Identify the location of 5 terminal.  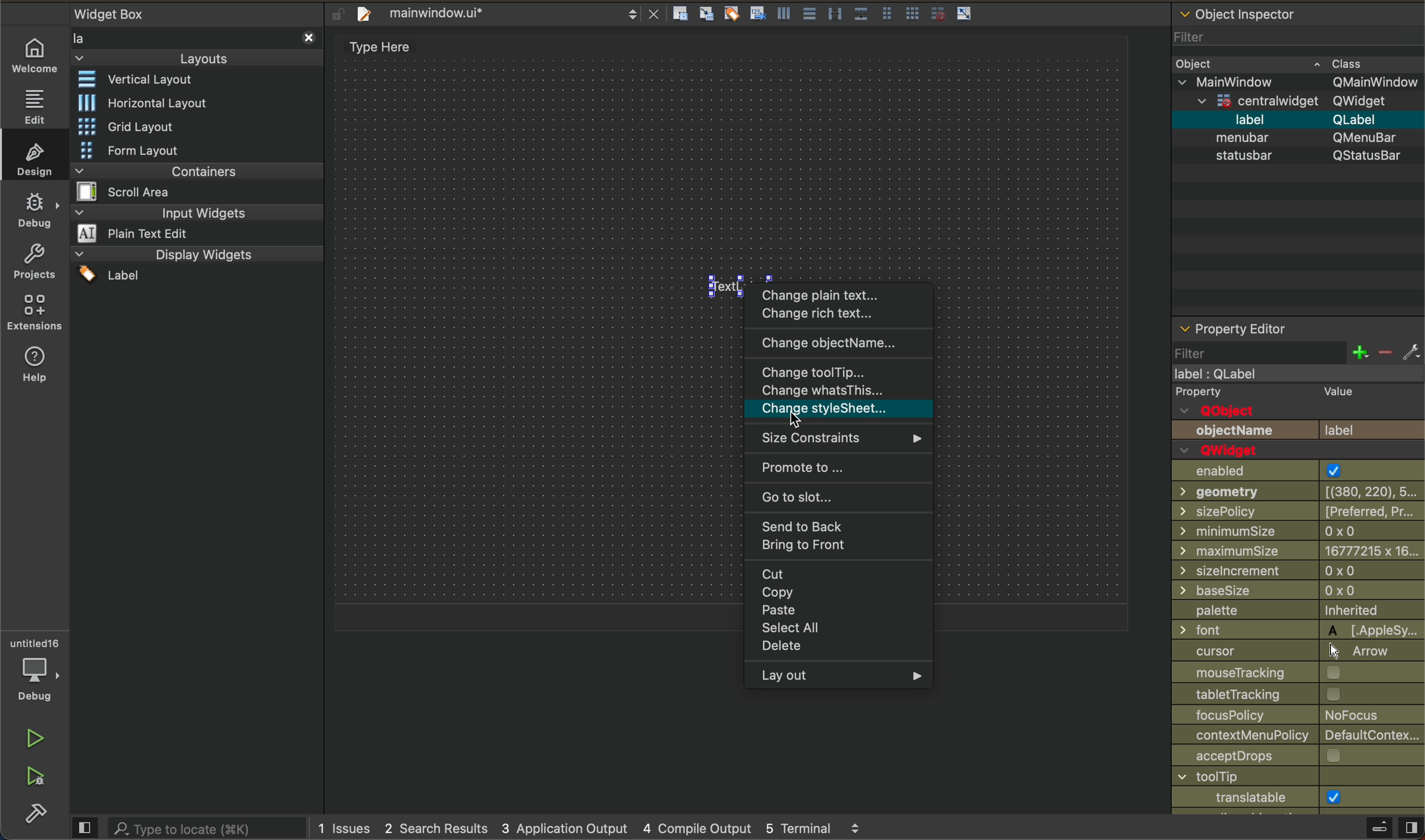
(818, 828).